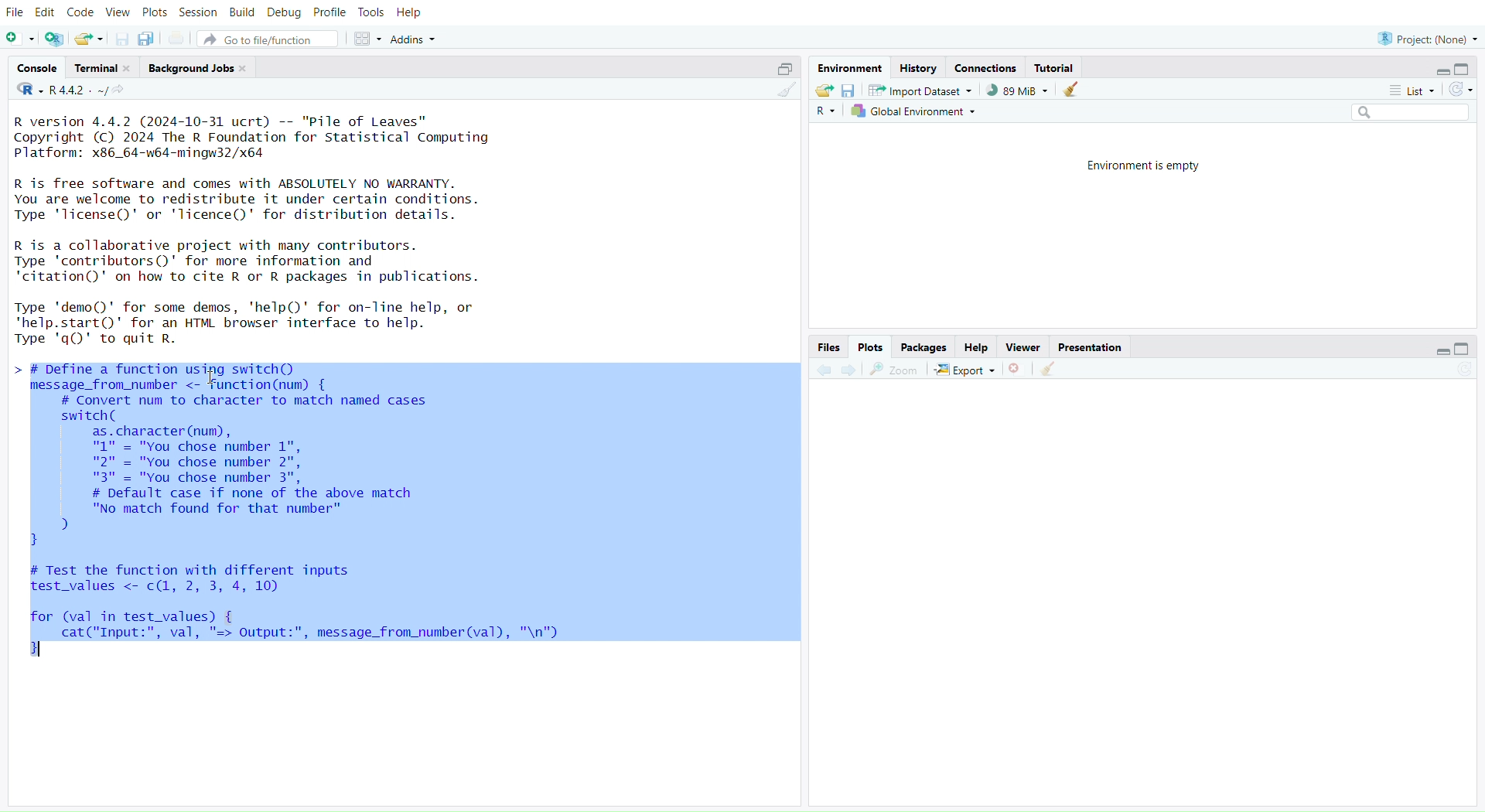  What do you see at coordinates (850, 92) in the screenshot?
I see `Save workspace as` at bounding box center [850, 92].